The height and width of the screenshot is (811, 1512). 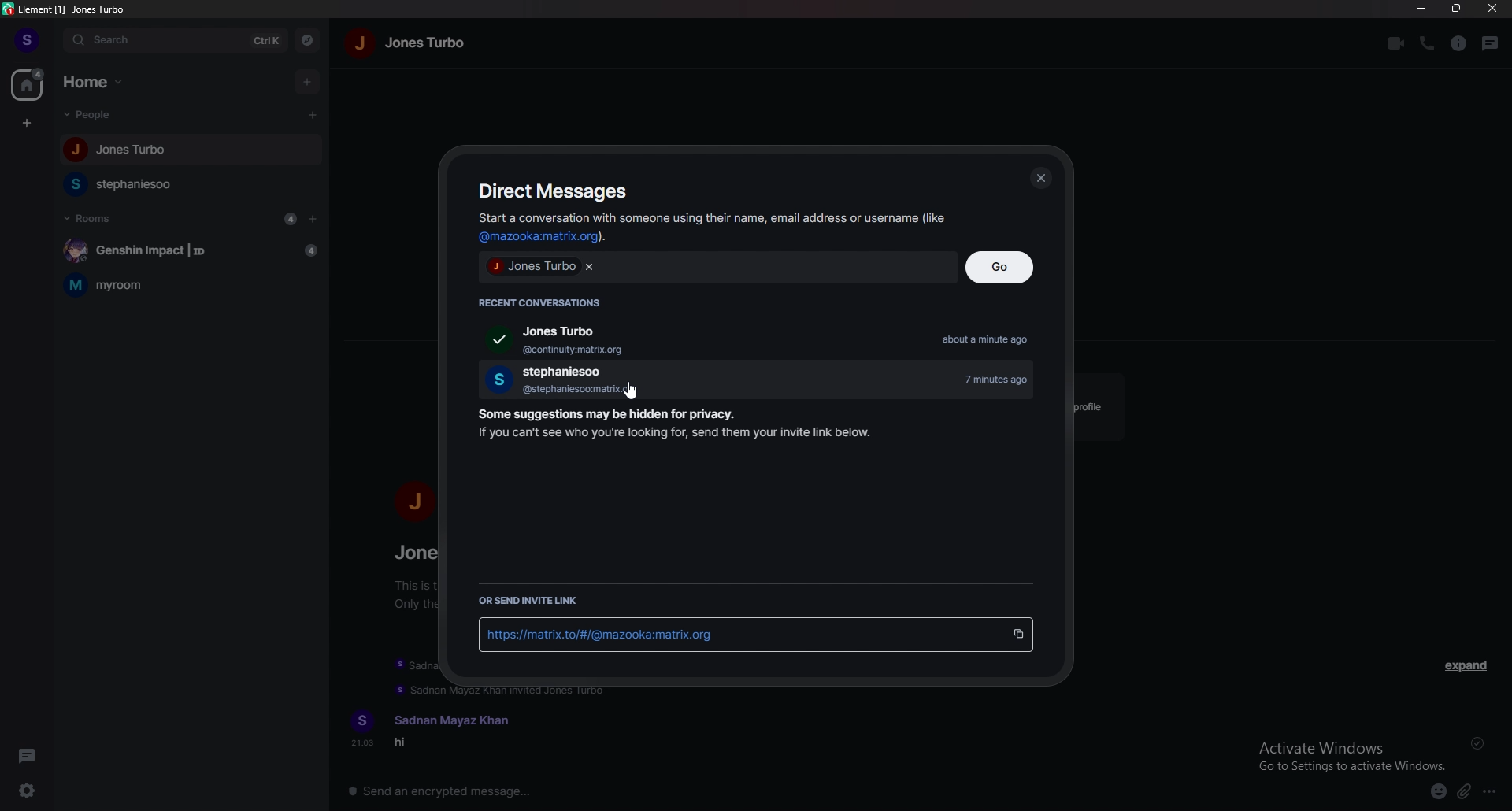 I want to click on jones turbo, so click(x=532, y=266).